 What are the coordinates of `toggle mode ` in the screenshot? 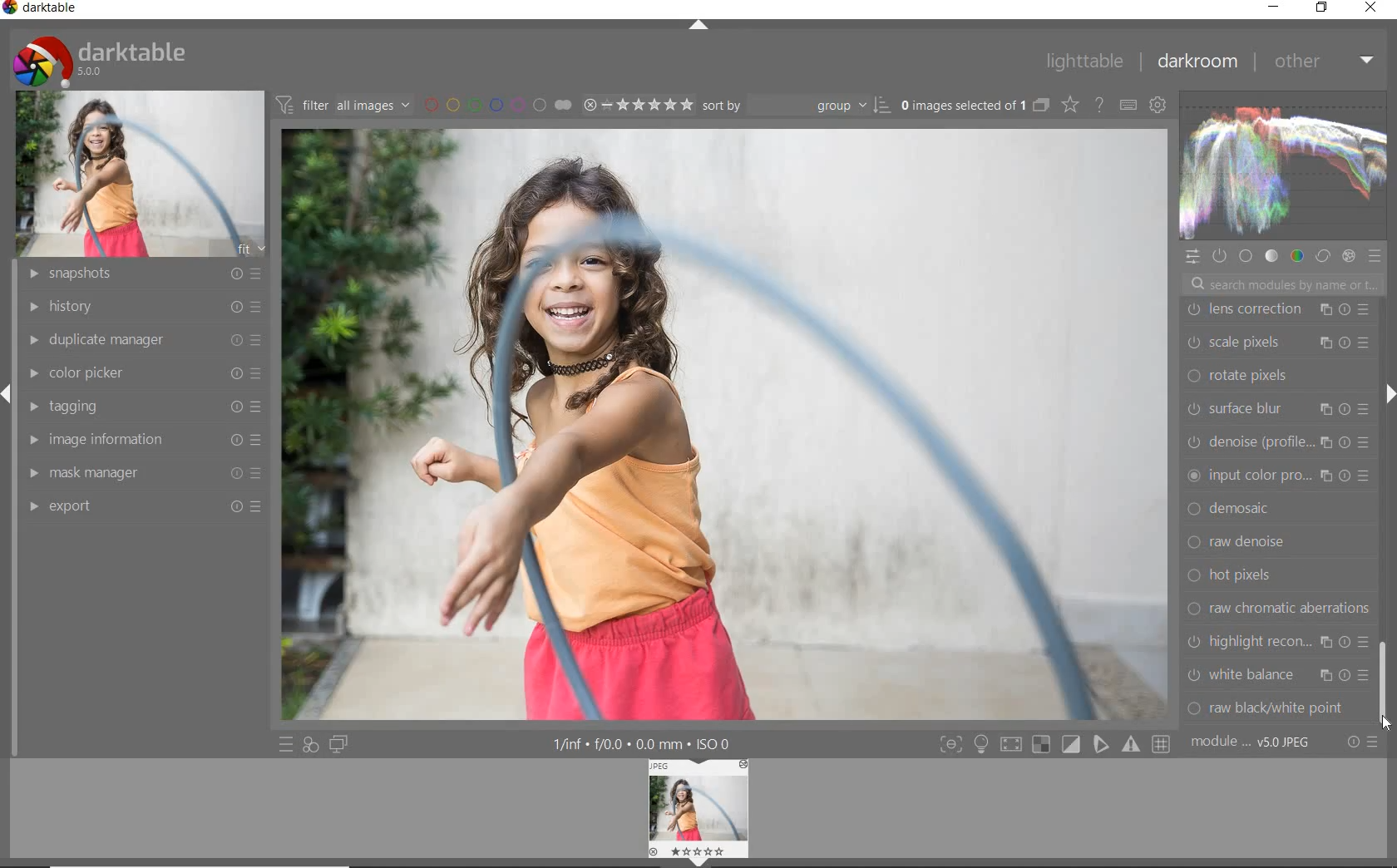 It's located at (1133, 745).